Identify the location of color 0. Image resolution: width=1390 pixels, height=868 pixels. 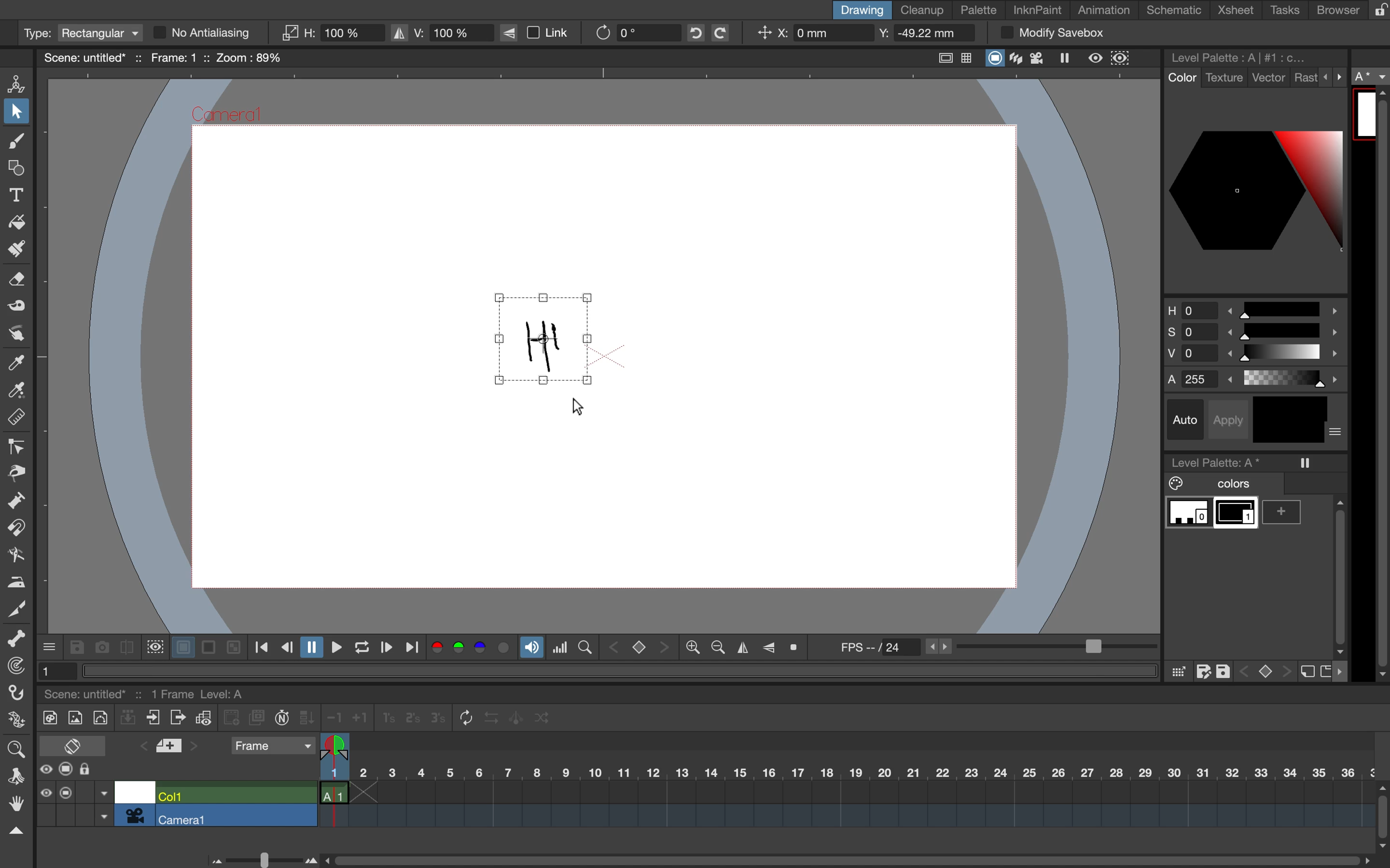
(1189, 514).